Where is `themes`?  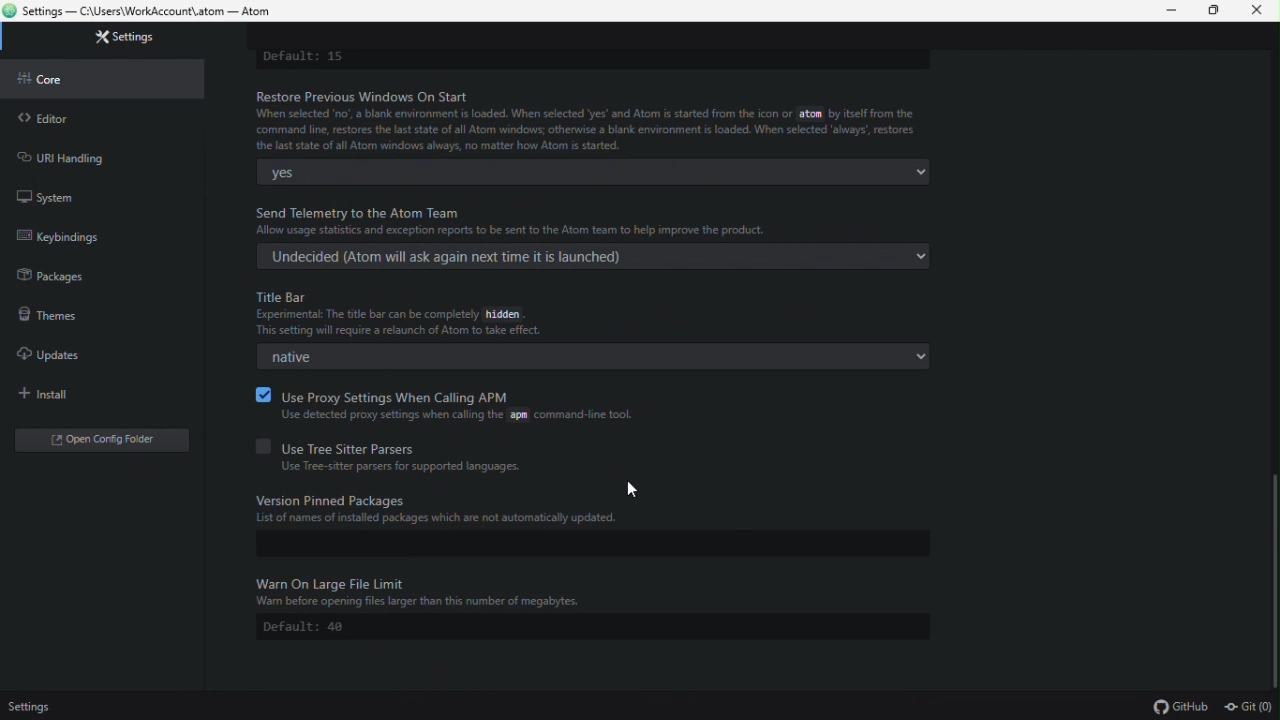 themes is located at coordinates (45, 313).